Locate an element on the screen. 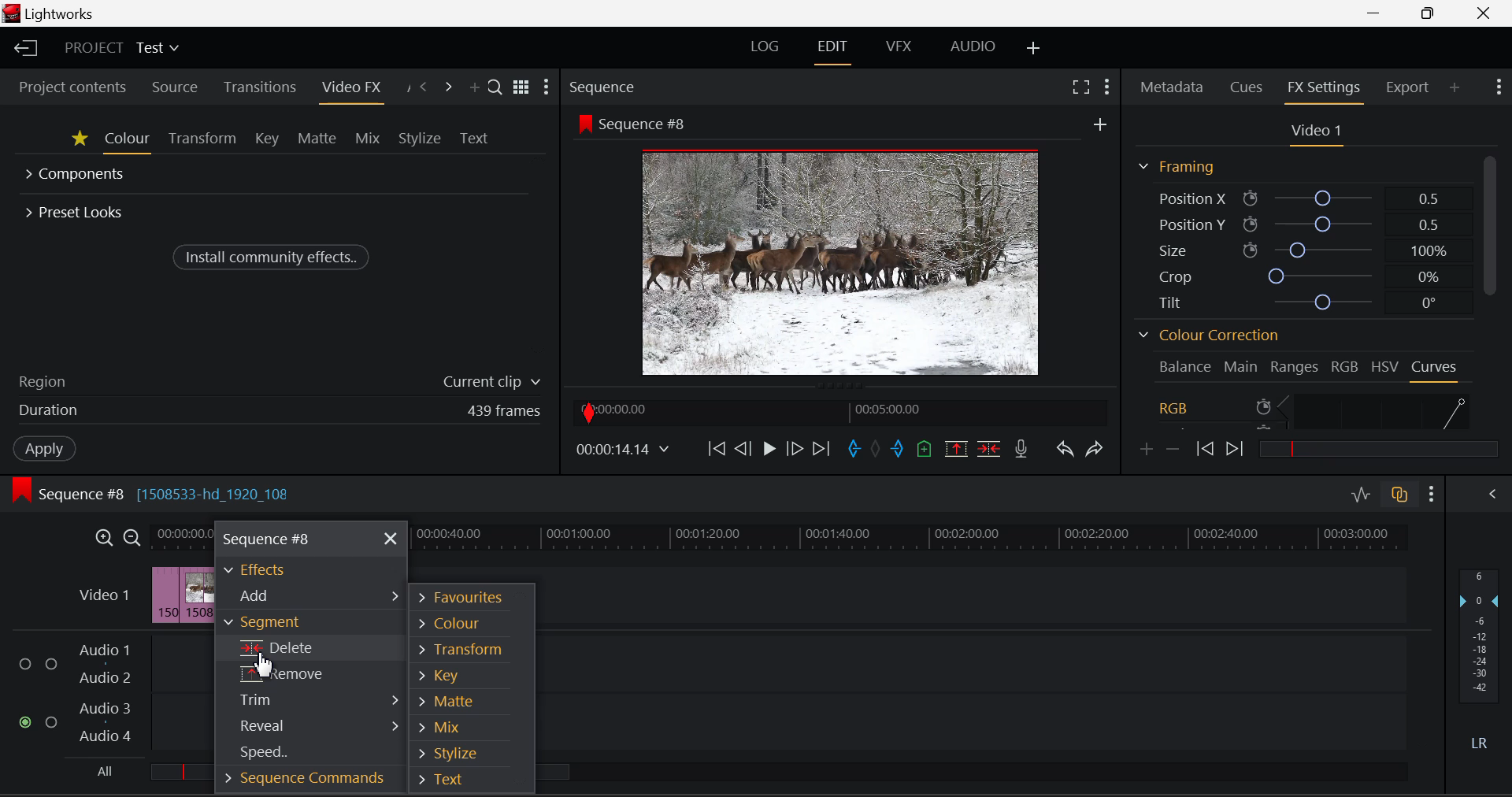  Text is located at coordinates (476, 136).